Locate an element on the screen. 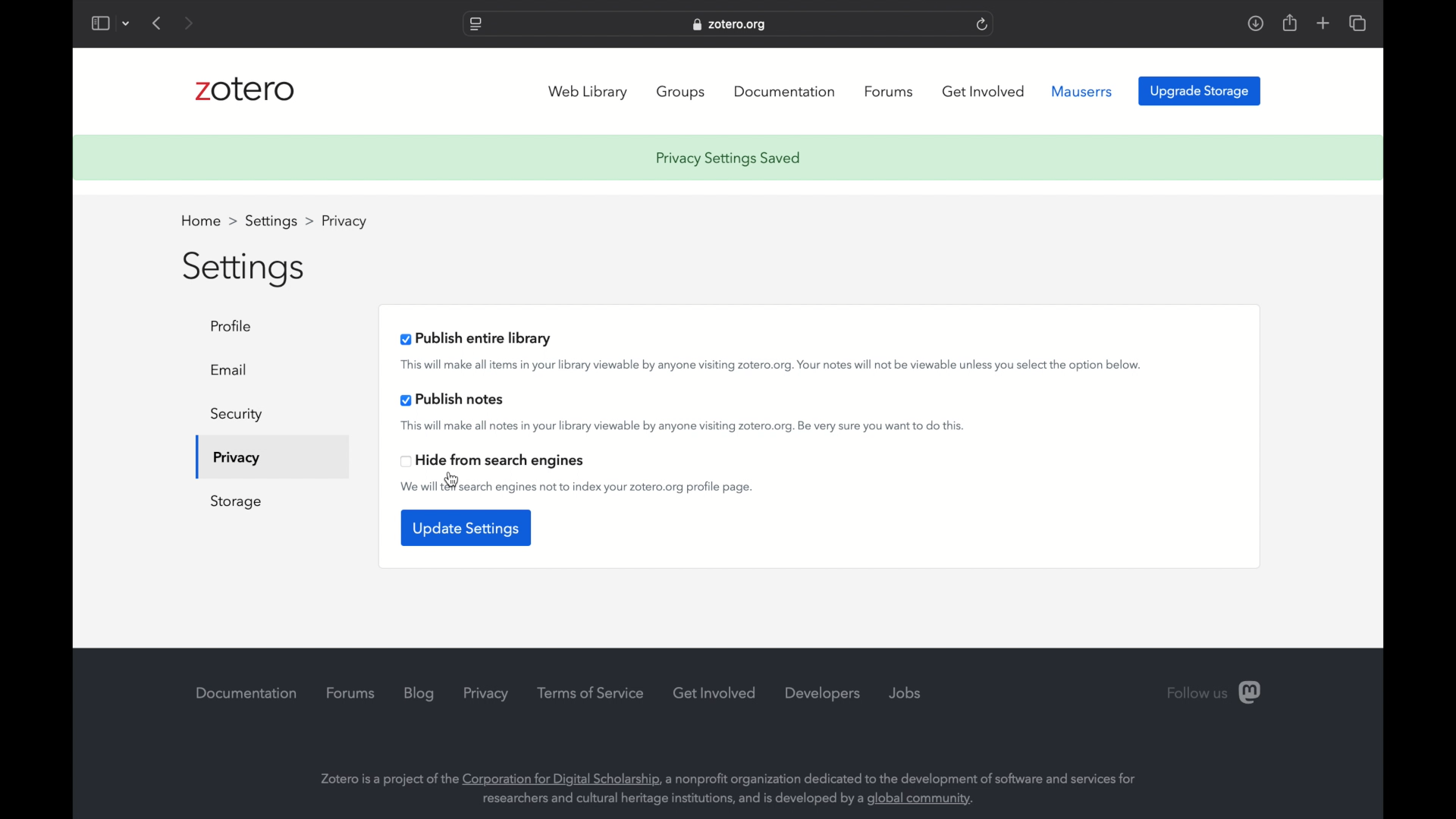 Image resolution: width=1456 pixels, height=819 pixels. profile is located at coordinates (227, 330).